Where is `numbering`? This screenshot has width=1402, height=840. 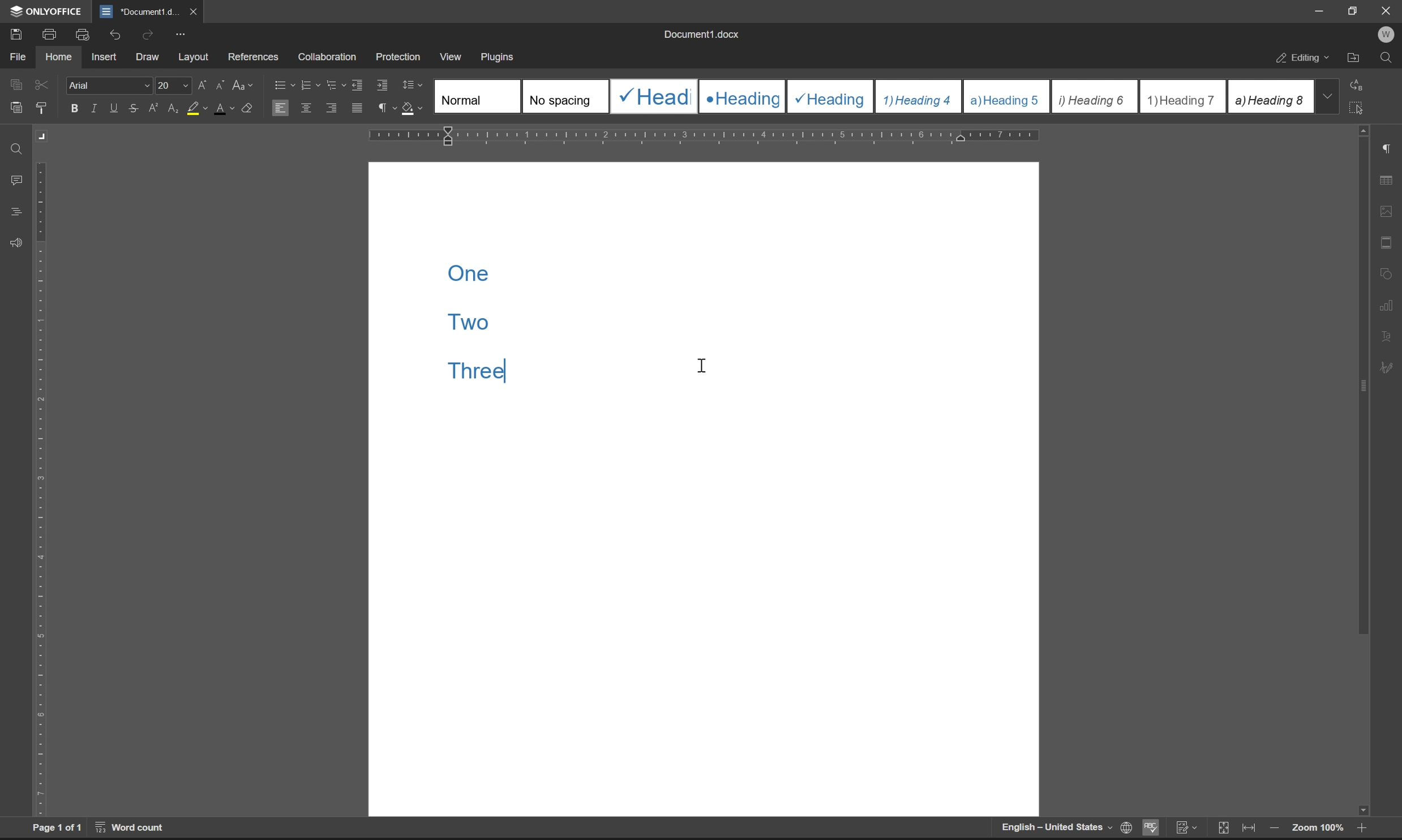
numbering is located at coordinates (310, 85).